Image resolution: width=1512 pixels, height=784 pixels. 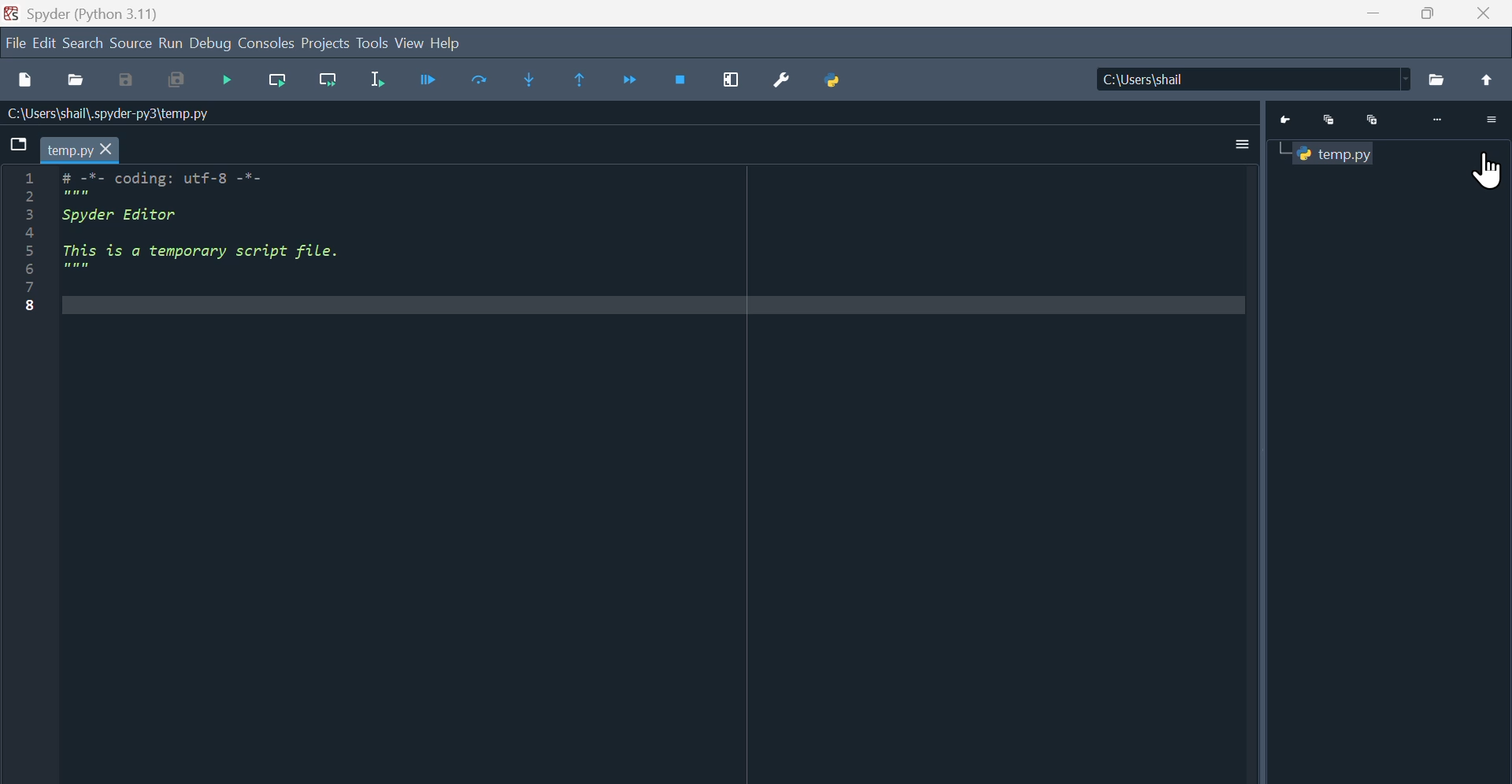 What do you see at coordinates (325, 43) in the screenshot?
I see `Project` at bounding box center [325, 43].